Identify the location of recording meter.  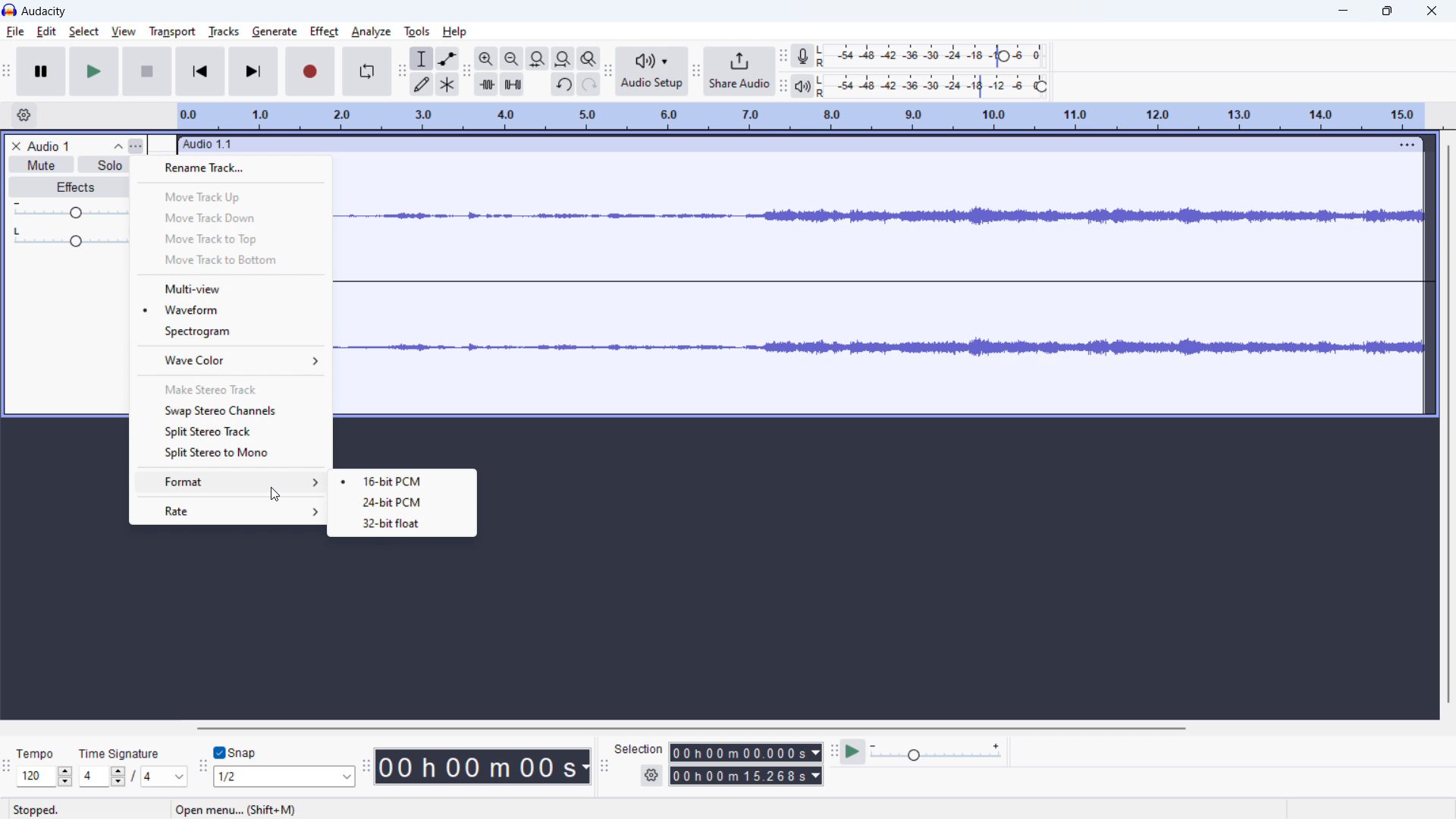
(803, 55).